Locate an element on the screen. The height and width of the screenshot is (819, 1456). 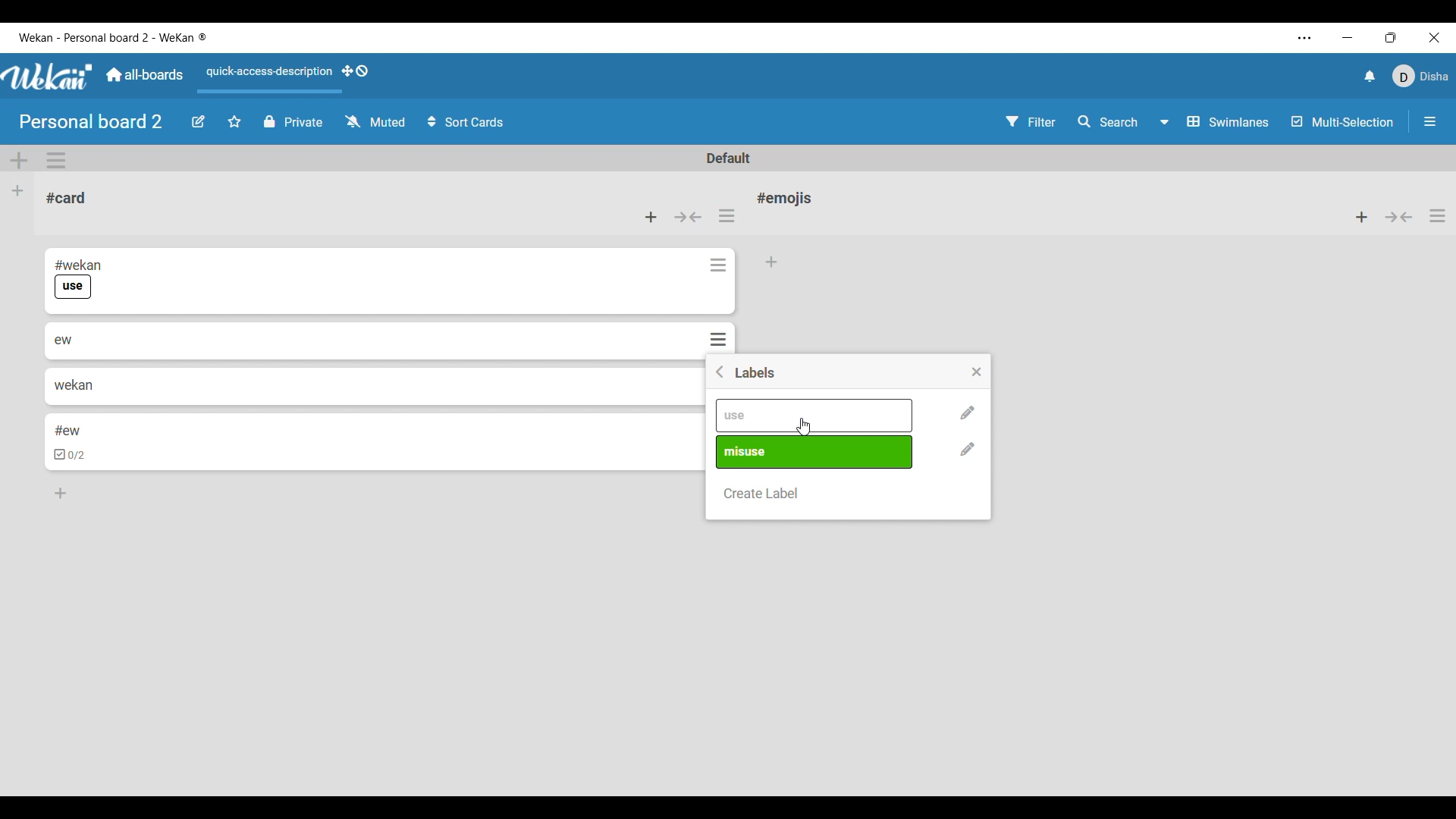
Add card to bottom of list is located at coordinates (773, 262).